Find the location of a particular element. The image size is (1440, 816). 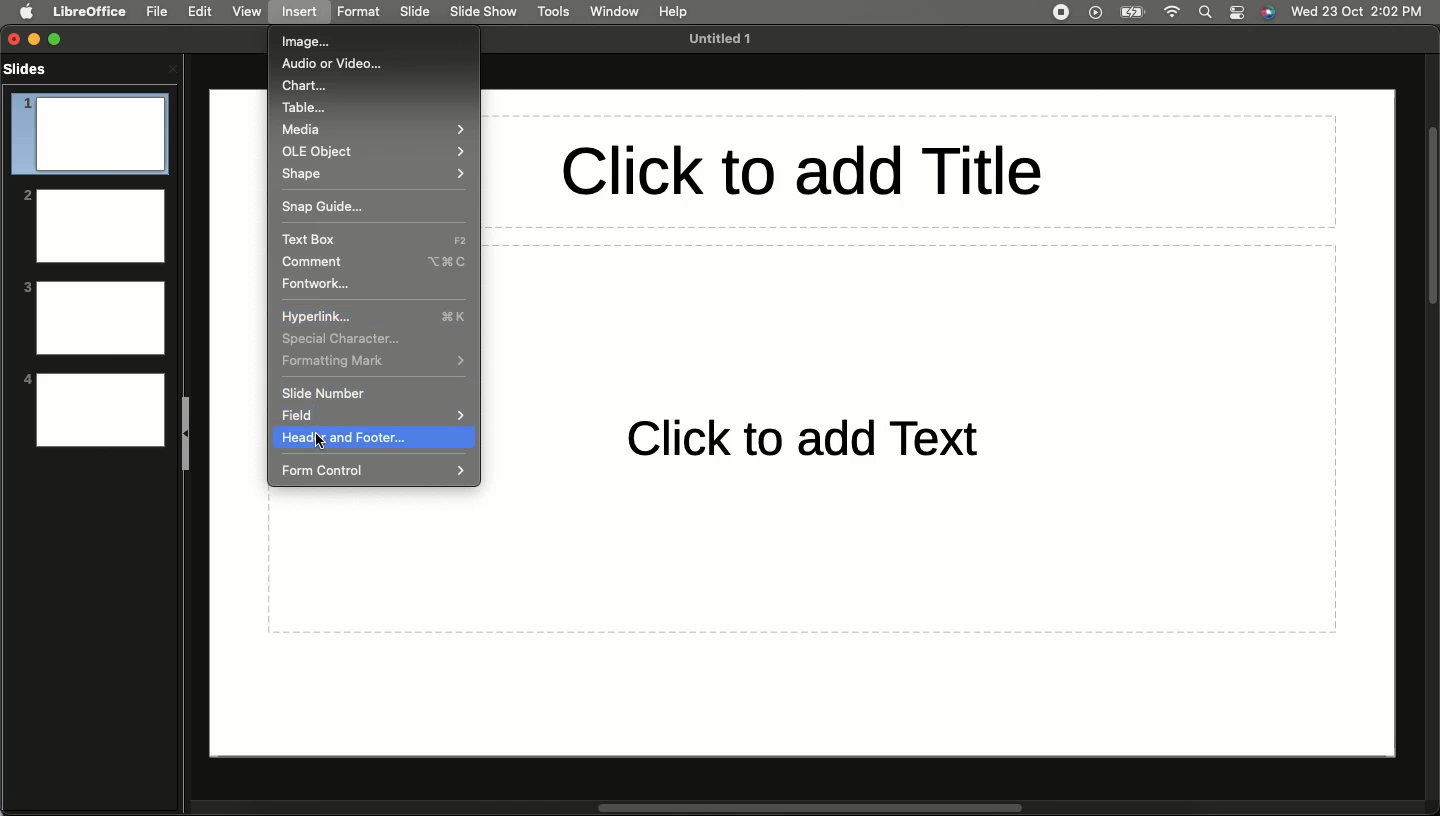

File name is located at coordinates (725, 39).